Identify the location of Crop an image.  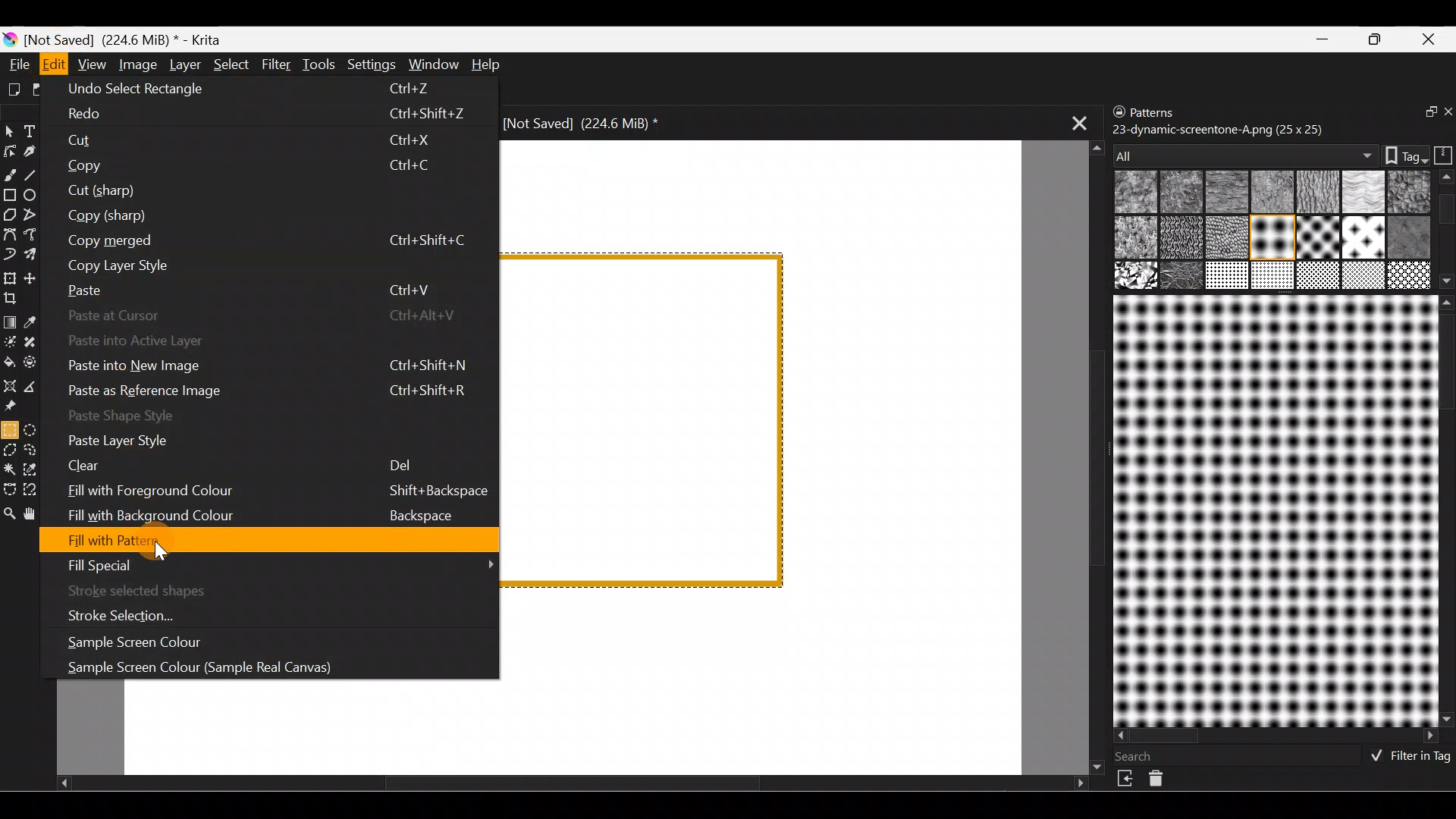
(17, 302).